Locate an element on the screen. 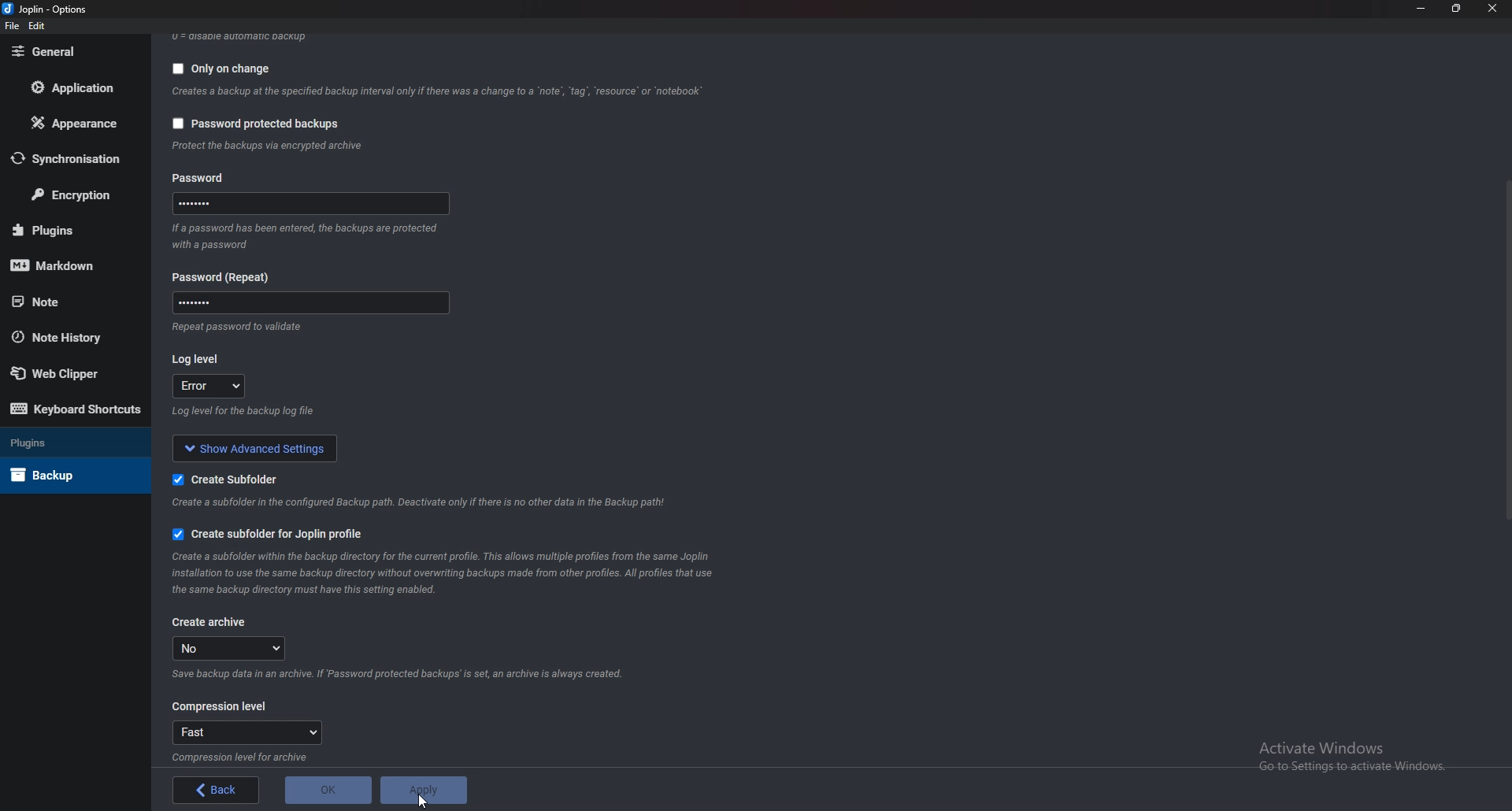 The image size is (1512, 811). Compression level is located at coordinates (217, 706).